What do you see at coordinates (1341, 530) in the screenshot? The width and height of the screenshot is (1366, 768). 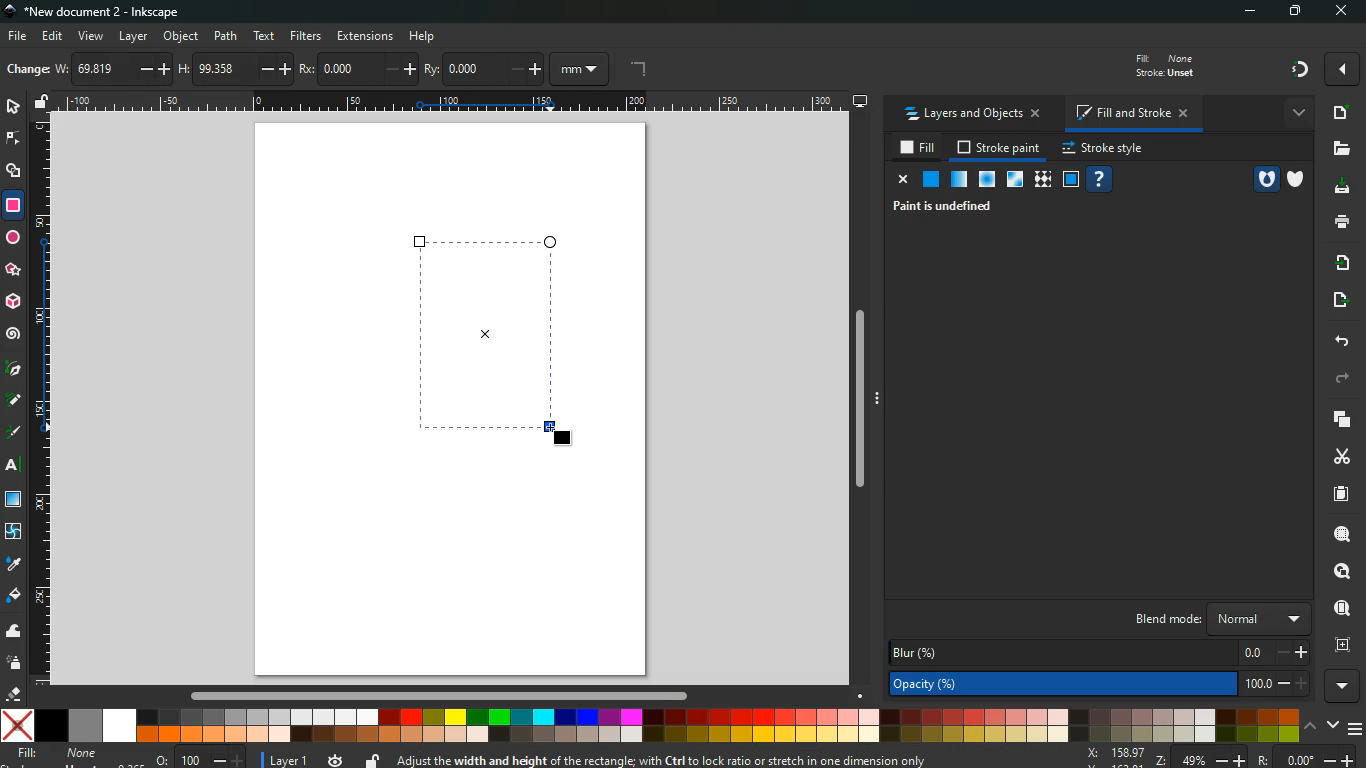 I see `search` at bounding box center [1341, 530].